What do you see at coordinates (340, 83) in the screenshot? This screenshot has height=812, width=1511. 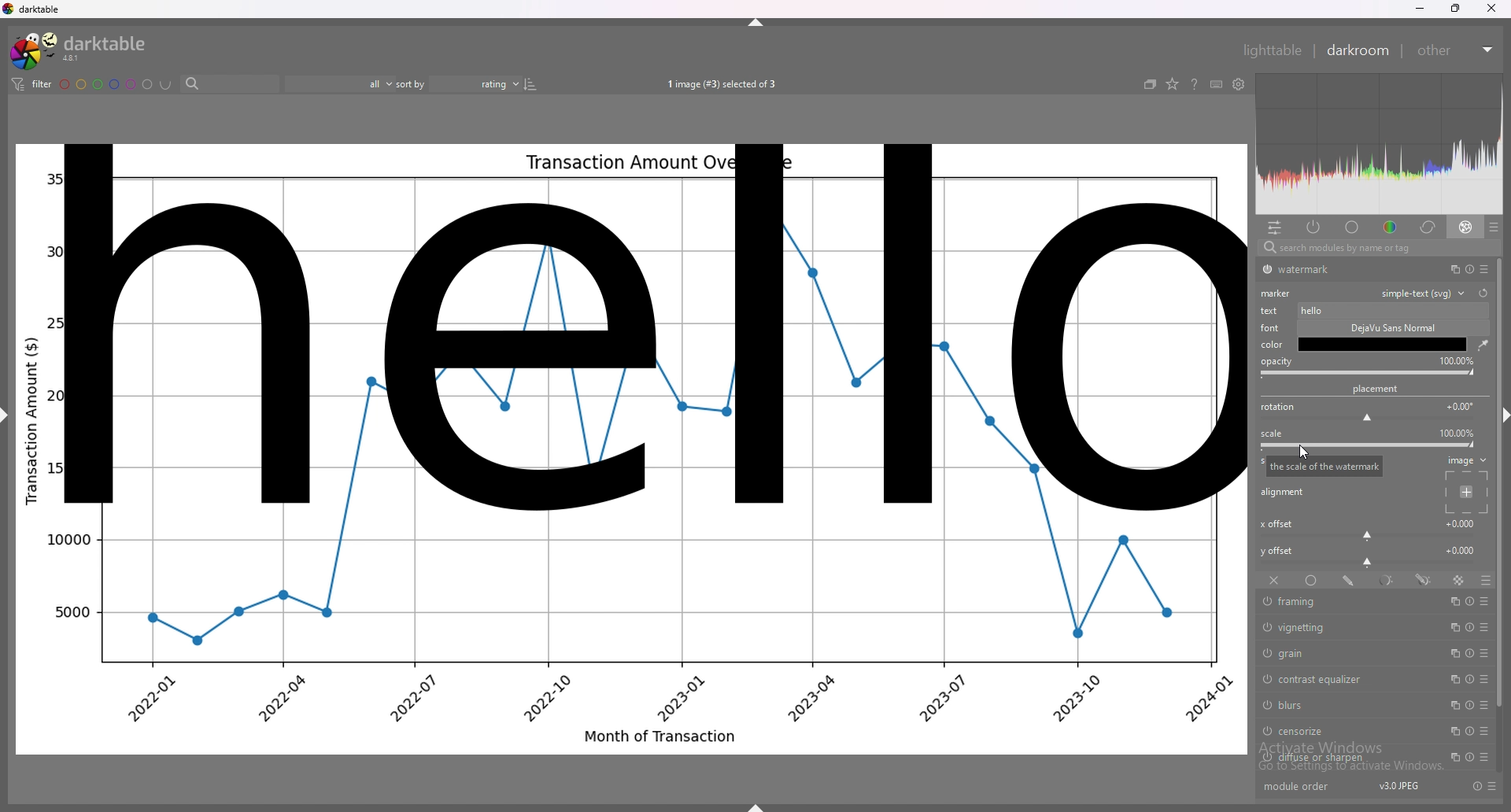 I see `filter by rating` at bounding box center [340, 83].